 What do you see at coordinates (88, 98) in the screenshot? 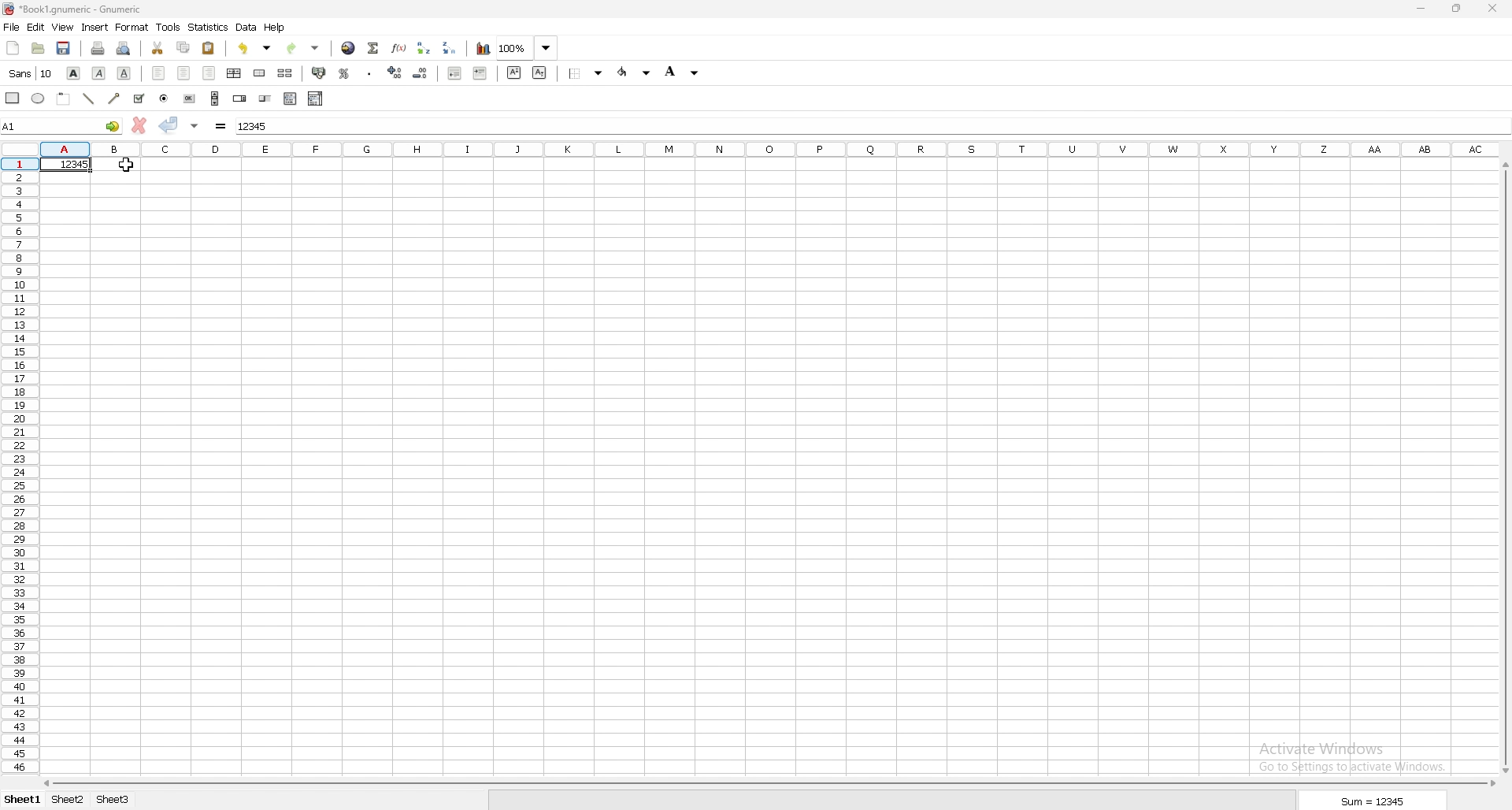
I see `line` at bounding box center [88, 98].